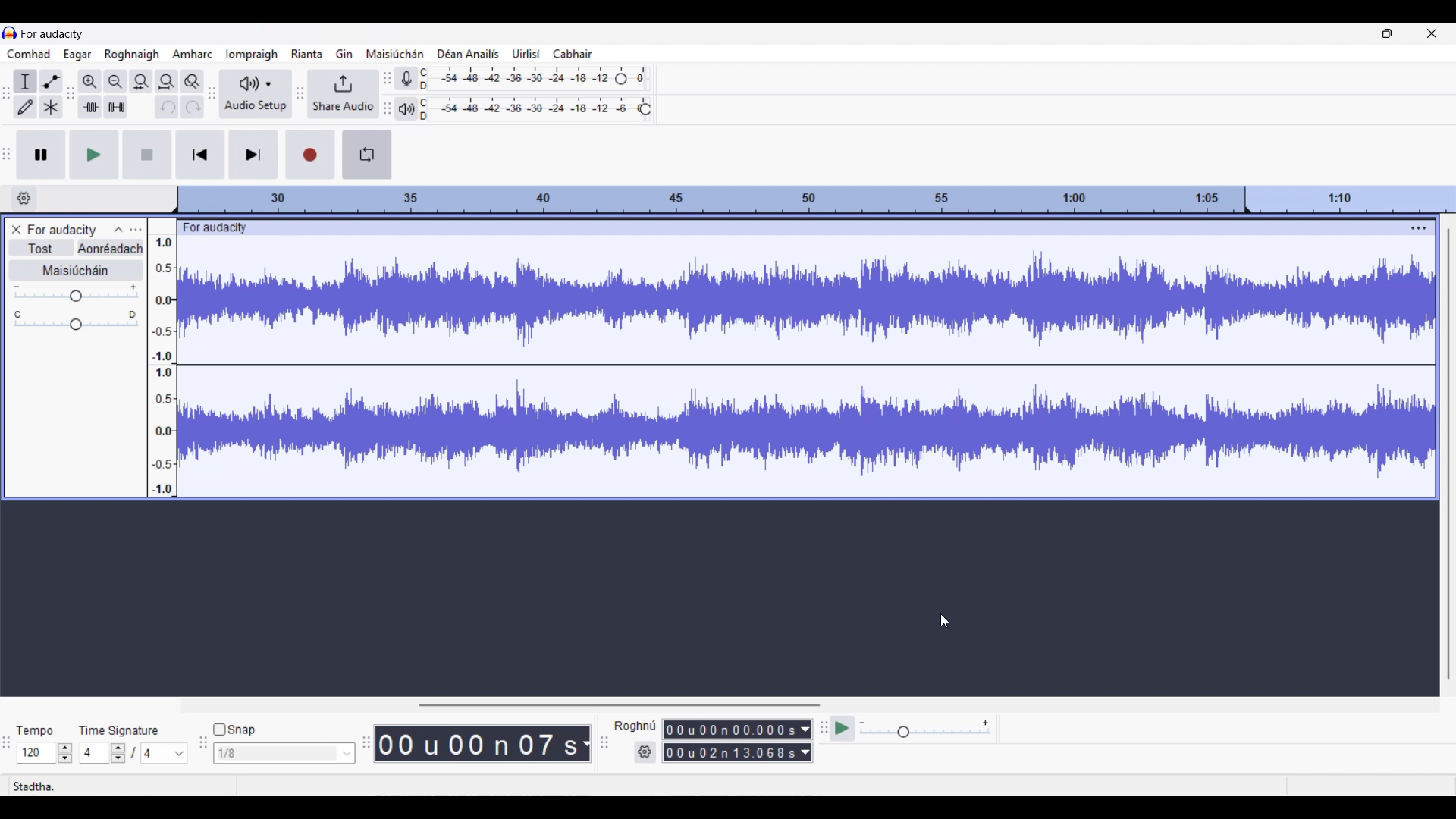  Describe the element at coordinates (94, 155) in the screenshot. I see `Play/Play once` at that location.